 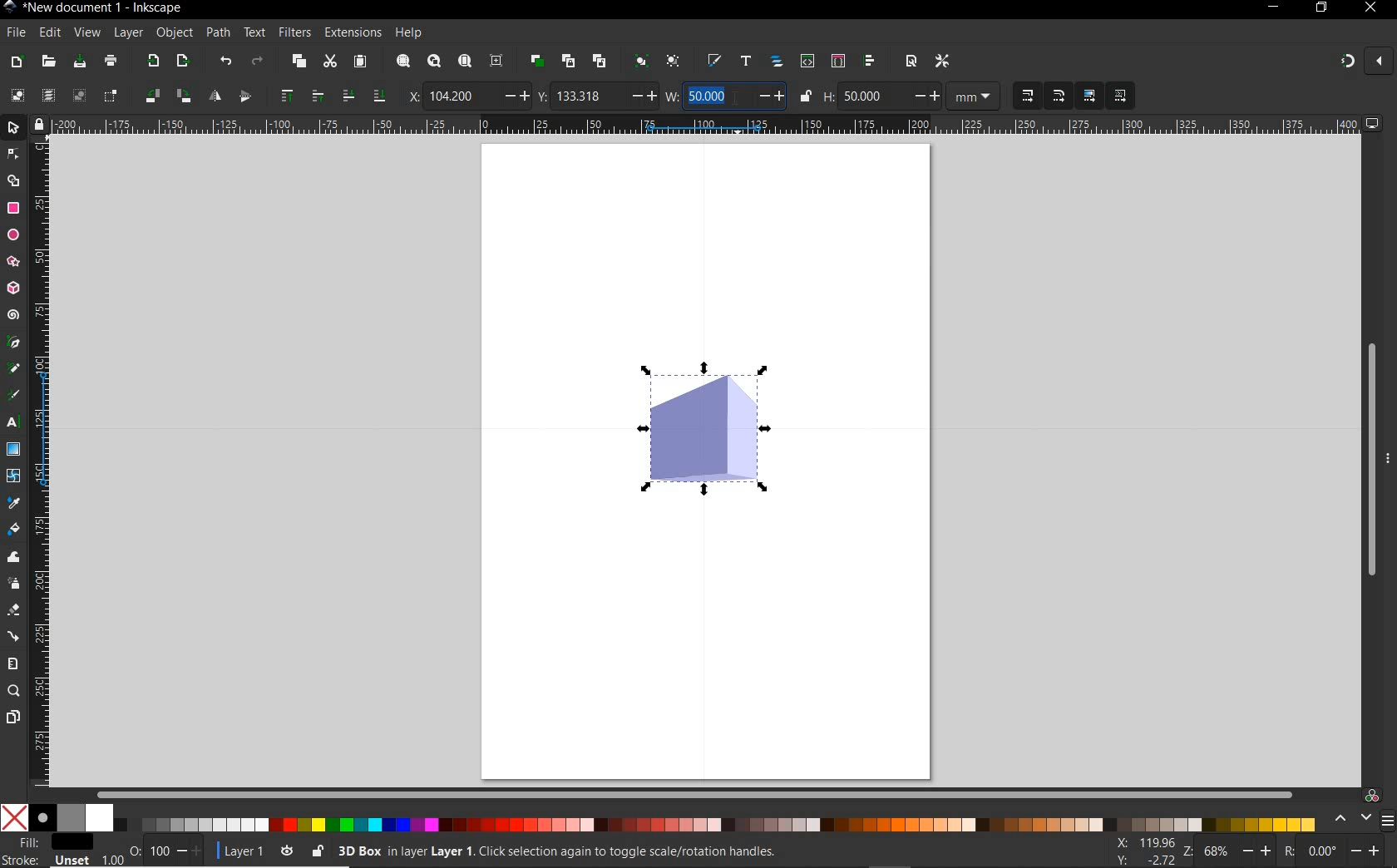 What do you see at coordinates (911, 62) in the screenshot?
I see `open document properties` at bounding box center [911, 62].